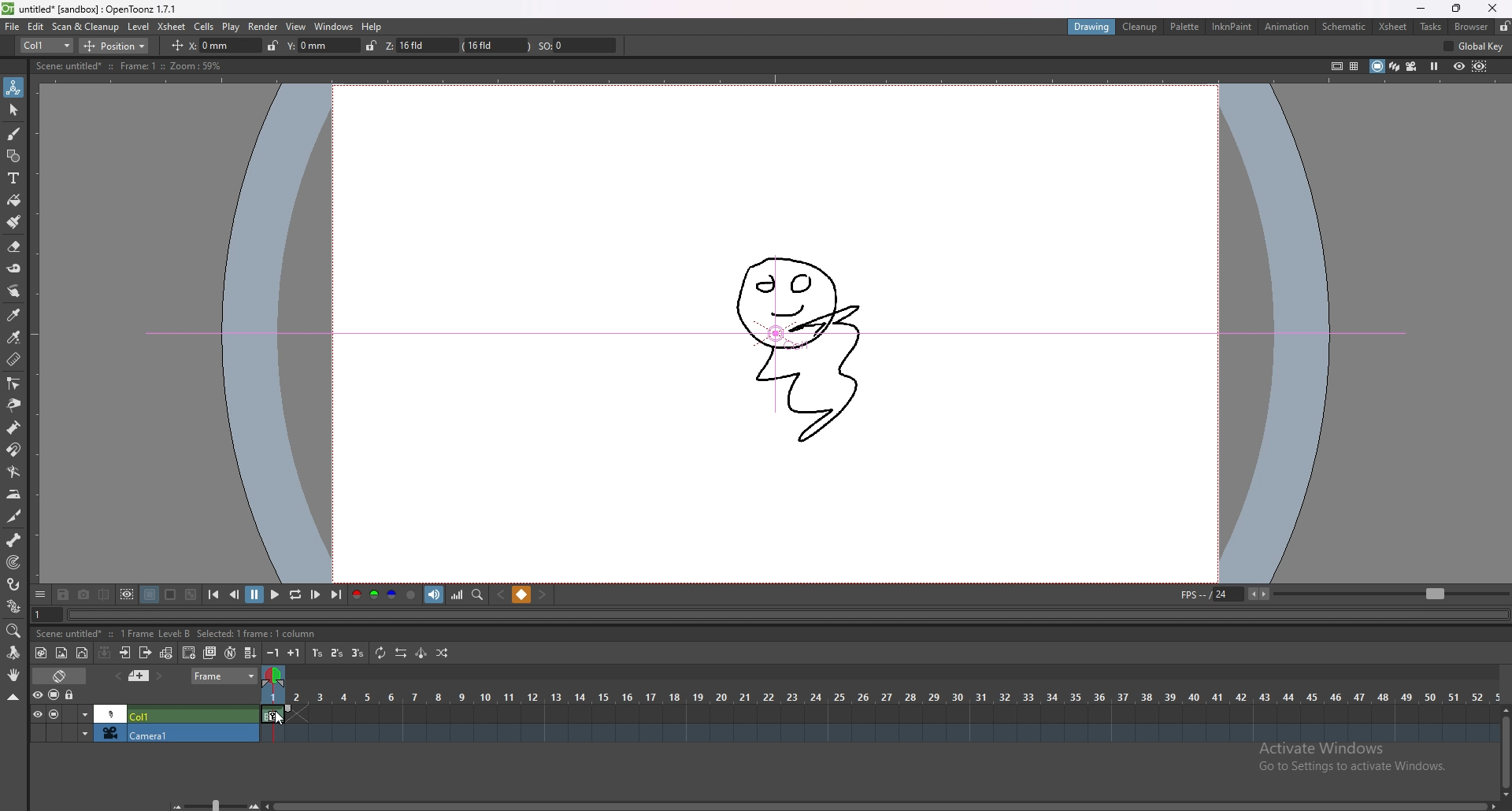  What do you see at coordinates (61, 654) in the screenshot?
I see `new raster level` at bounding box center [61, 654].